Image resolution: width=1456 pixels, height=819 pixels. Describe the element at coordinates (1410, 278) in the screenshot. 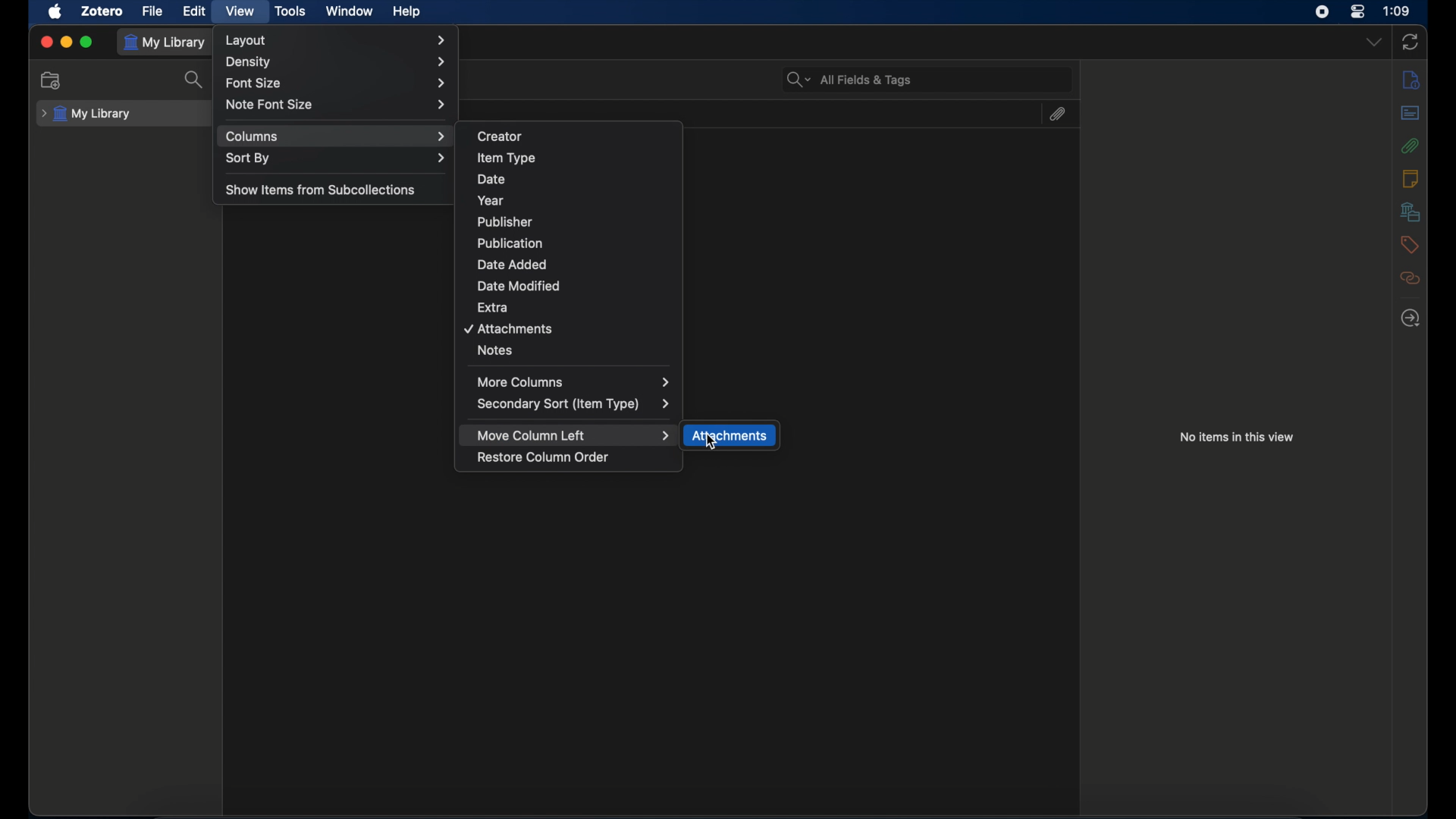

I see `related` at that location.